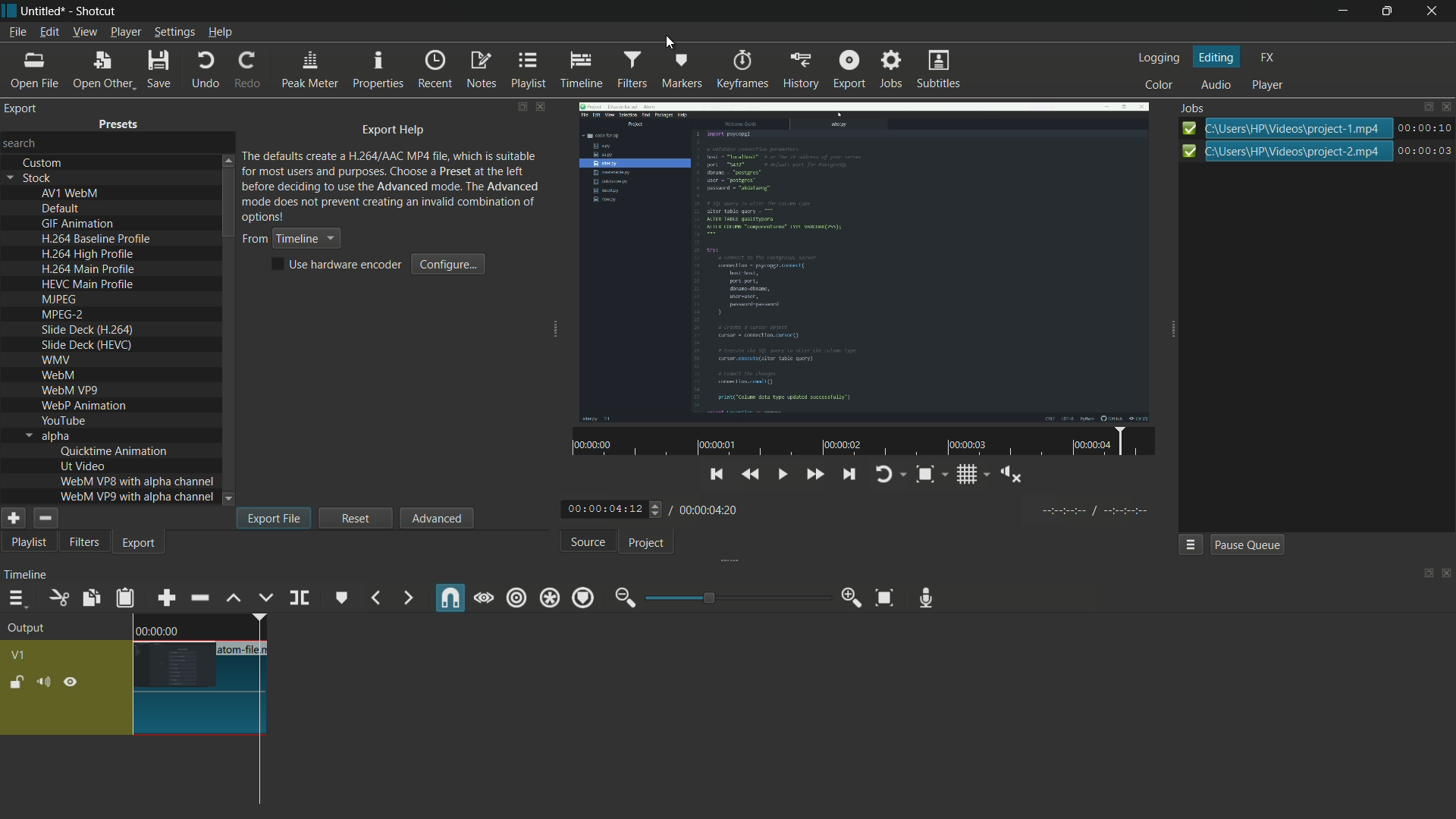  Describe the element at coordinates (1268, 85) in the screenshot. I see `player` at that location.